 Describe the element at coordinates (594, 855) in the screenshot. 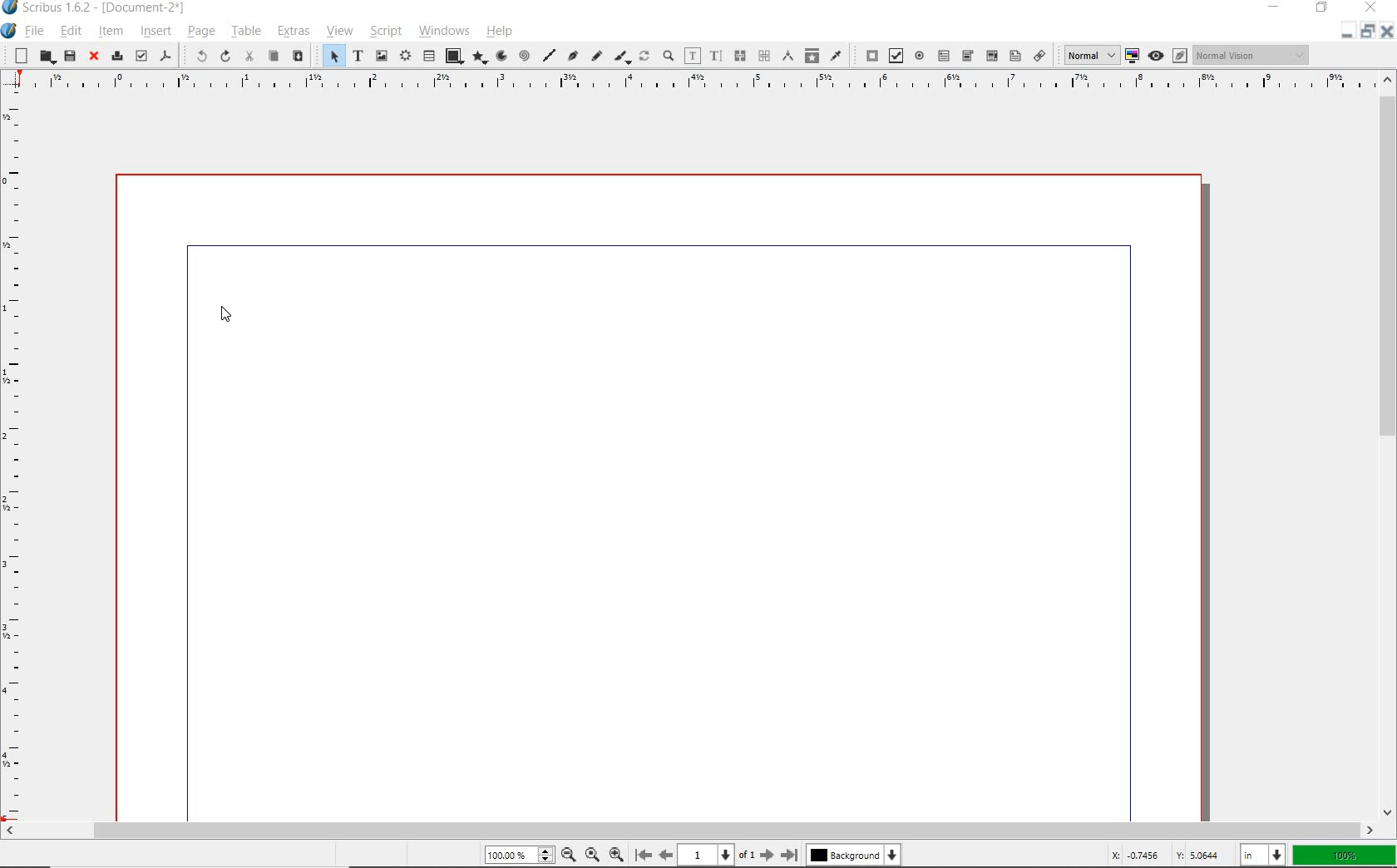

I see `zoom to` at that location.